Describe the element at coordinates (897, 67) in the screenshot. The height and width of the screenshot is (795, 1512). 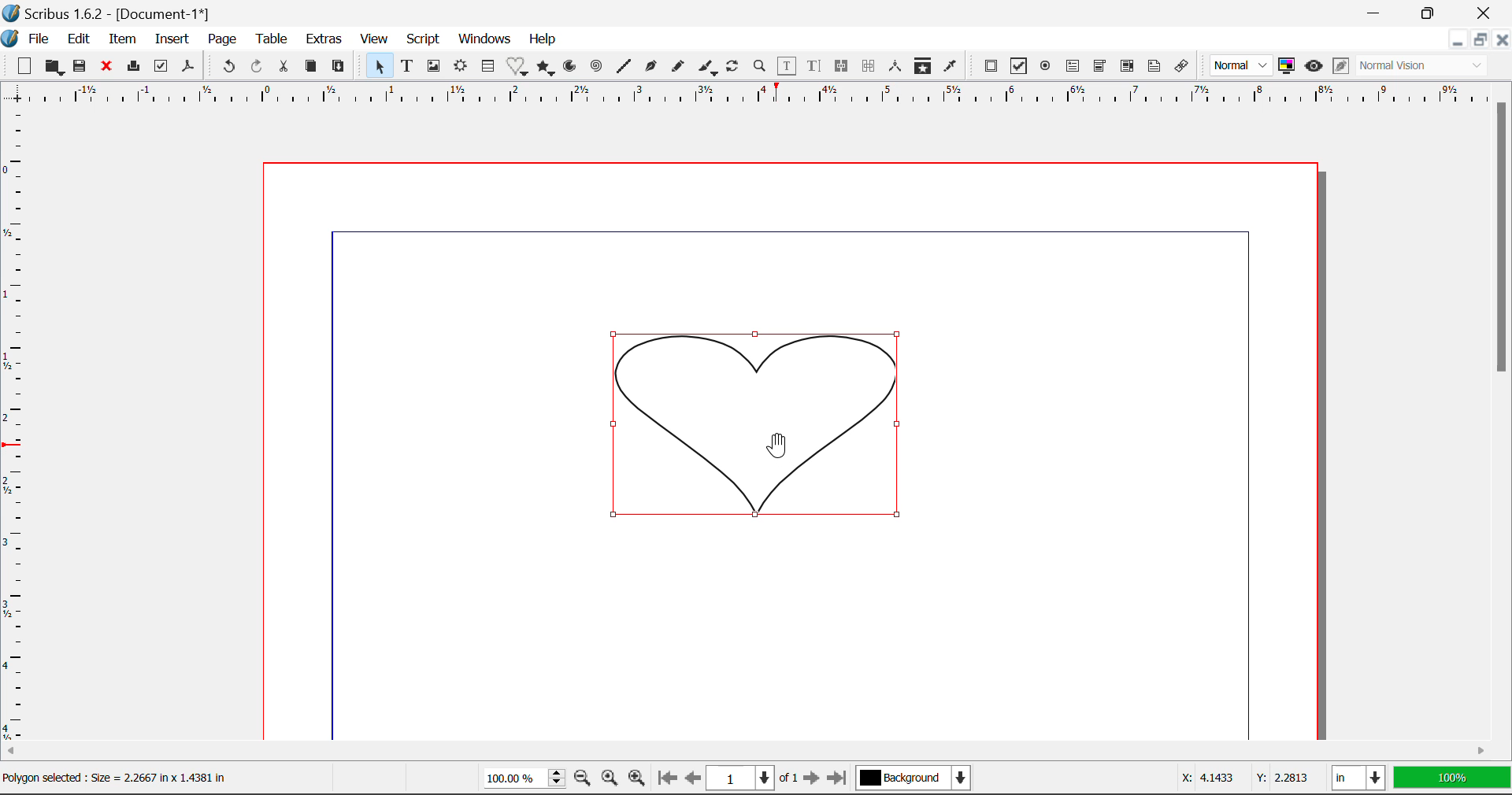
I see `Measurements` at that location.